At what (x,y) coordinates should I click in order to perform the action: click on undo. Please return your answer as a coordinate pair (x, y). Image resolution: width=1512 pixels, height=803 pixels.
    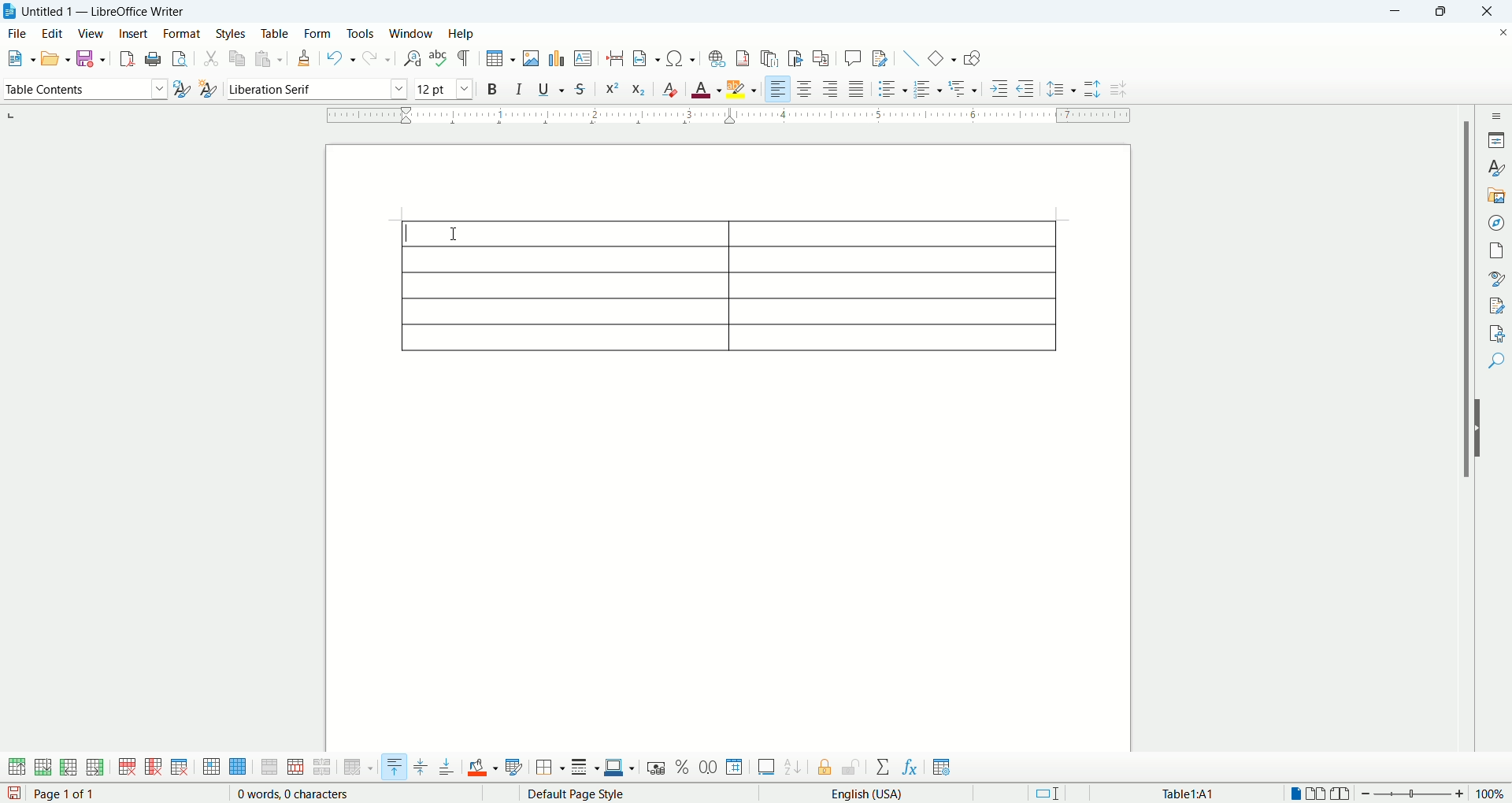
    Looking at the image, I should click on (342, 59).